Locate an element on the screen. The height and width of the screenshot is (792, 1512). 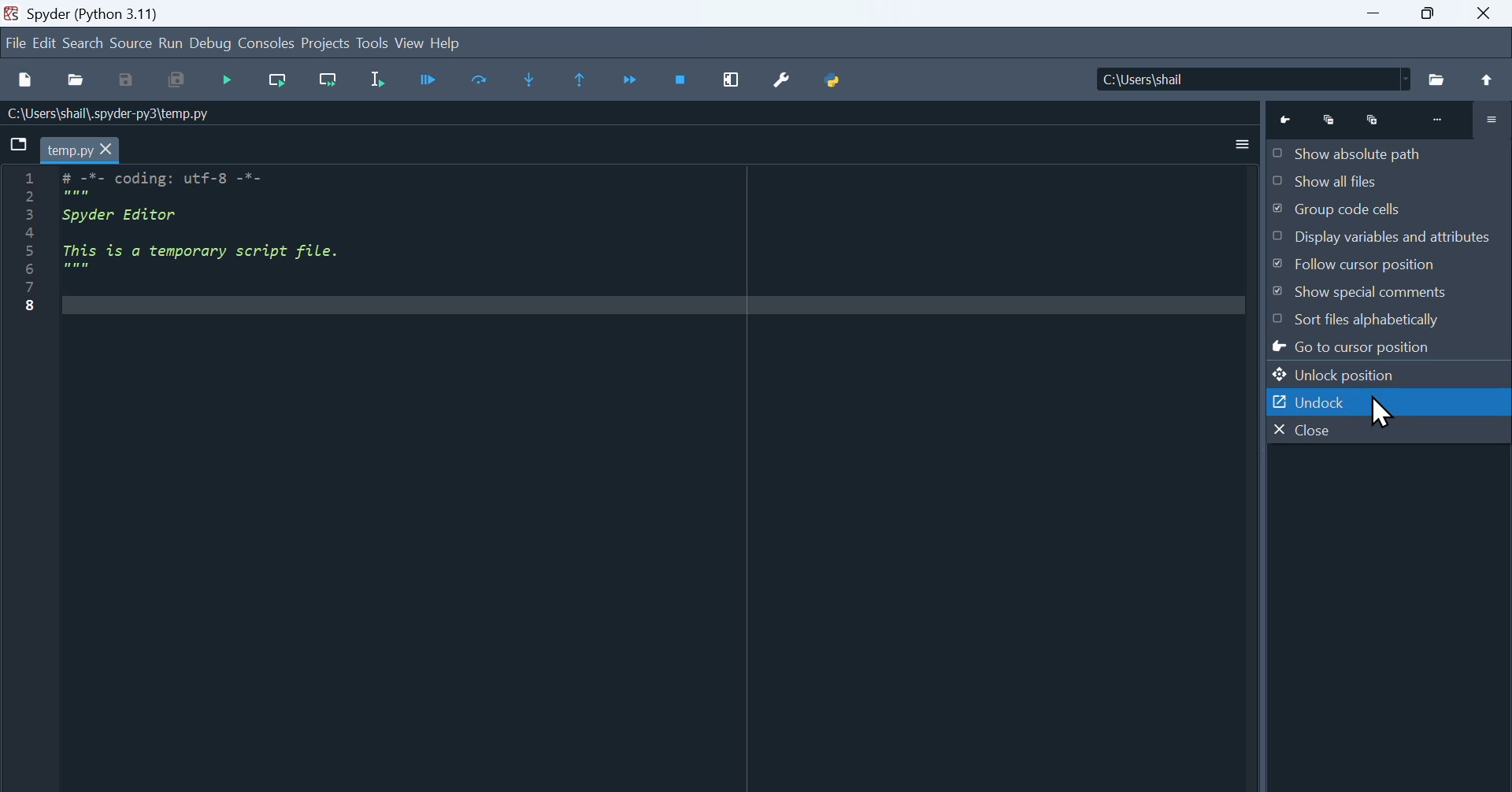
close is located at coordinates (1484, 14).